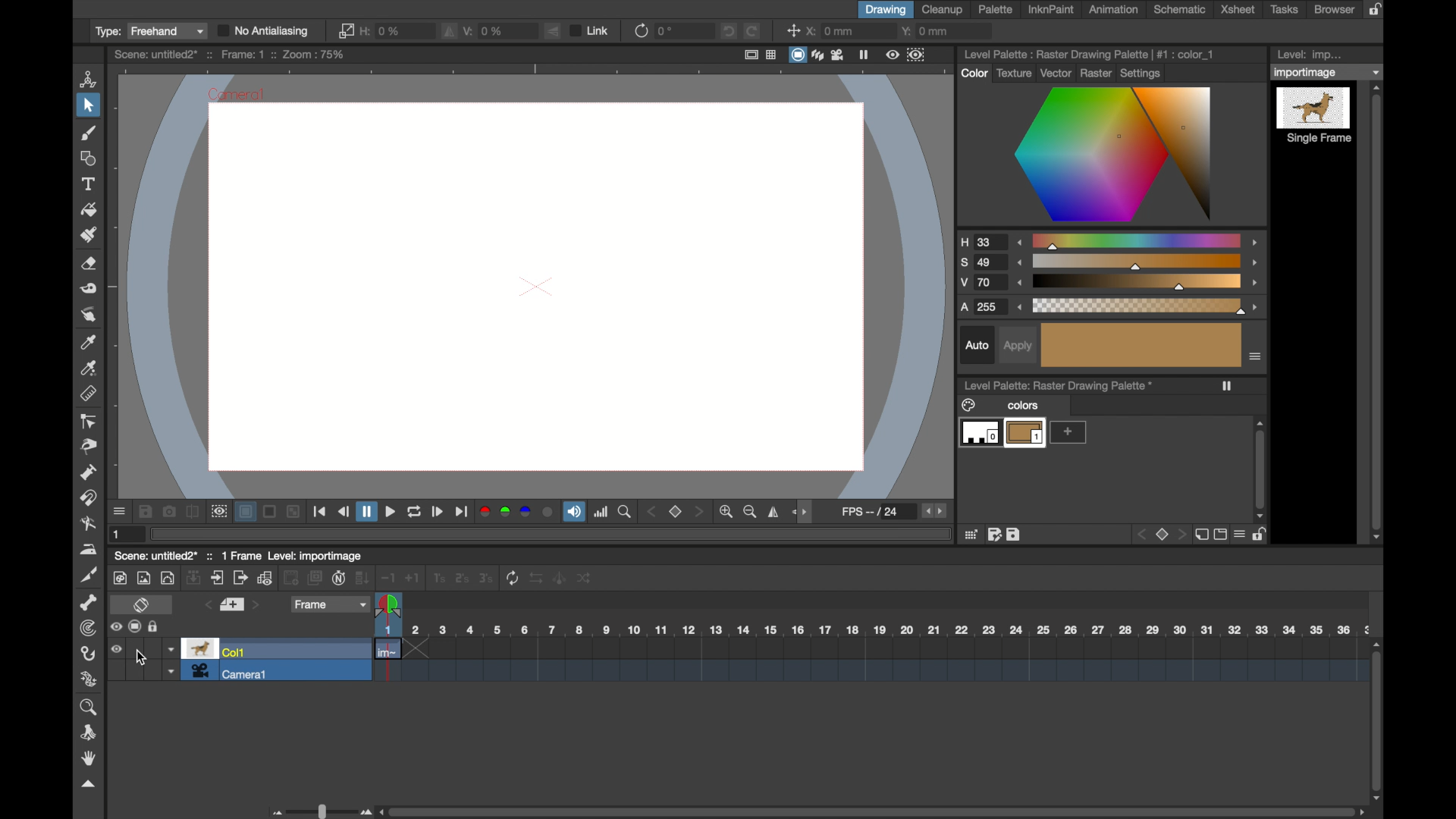 This screenshot has height=819, width=1456. What do you see at coordinates (1379, 9) in the screenshot?
I see `lock` at bounding box center [1379, 9].